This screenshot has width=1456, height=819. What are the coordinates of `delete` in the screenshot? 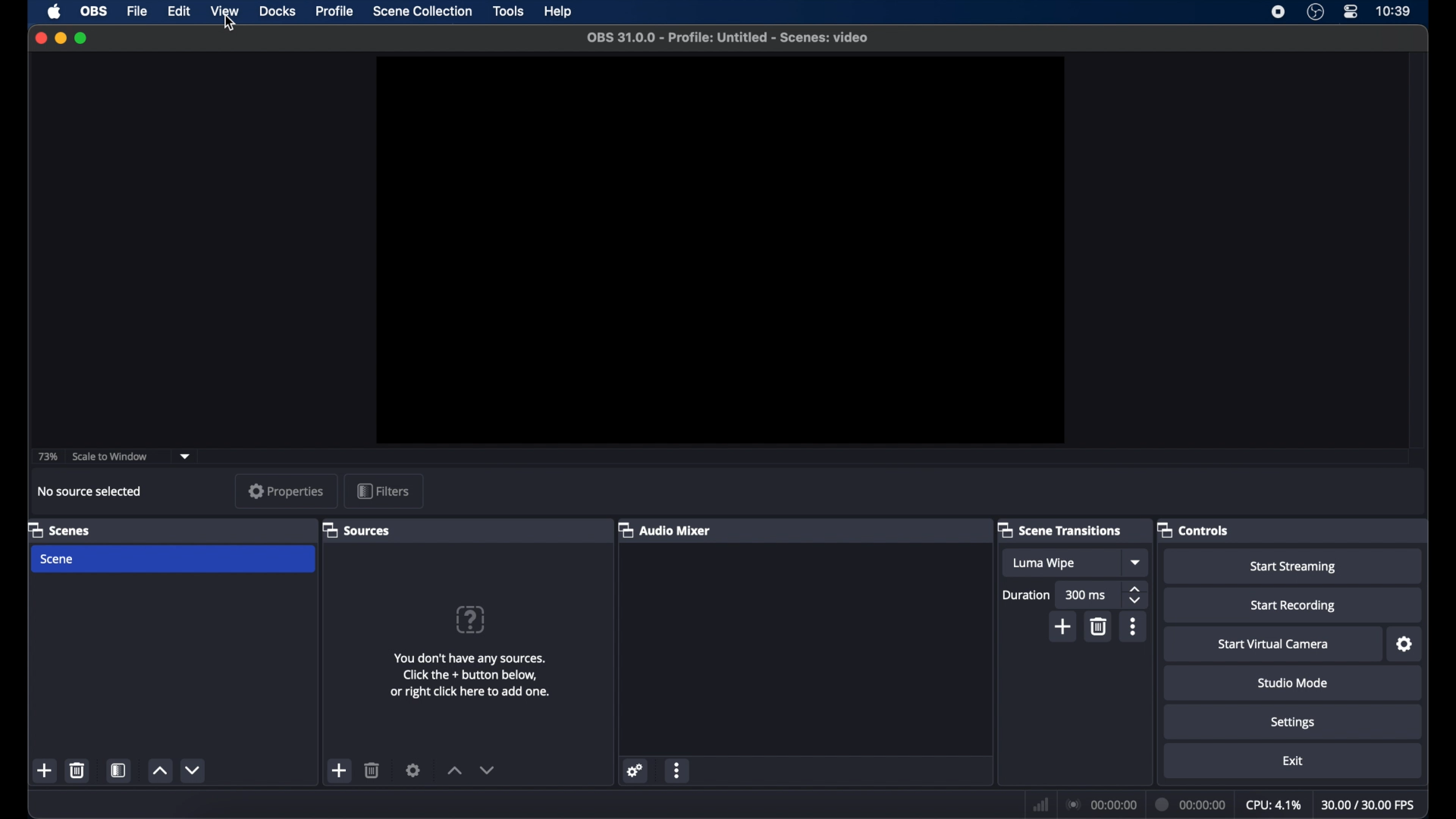 It's located at (78, 770).